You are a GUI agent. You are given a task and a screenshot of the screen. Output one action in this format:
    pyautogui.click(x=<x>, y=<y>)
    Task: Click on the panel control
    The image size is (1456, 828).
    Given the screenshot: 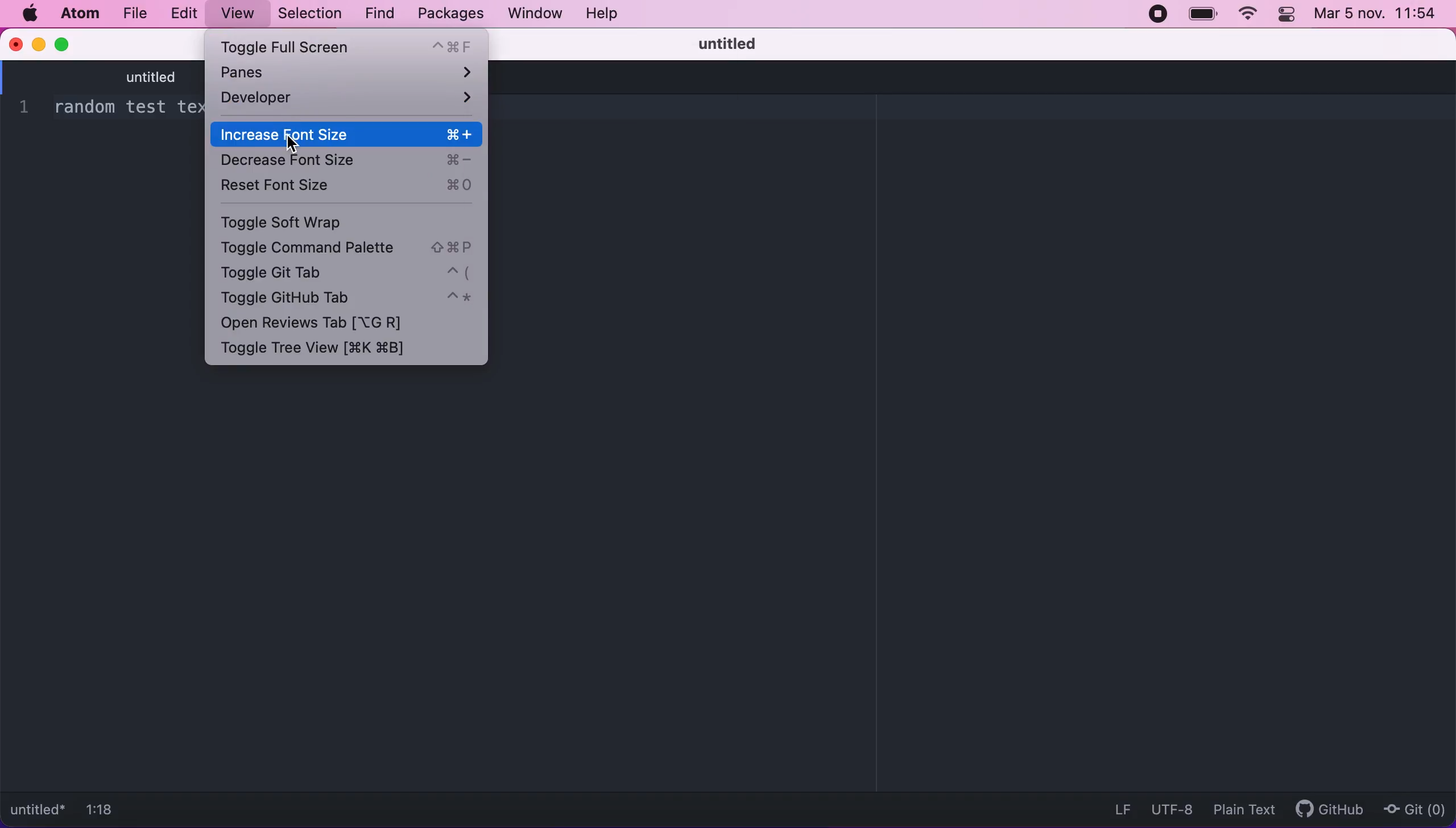 What is the action you would take?
    pyautogui.click(x=1288, y=15)
    